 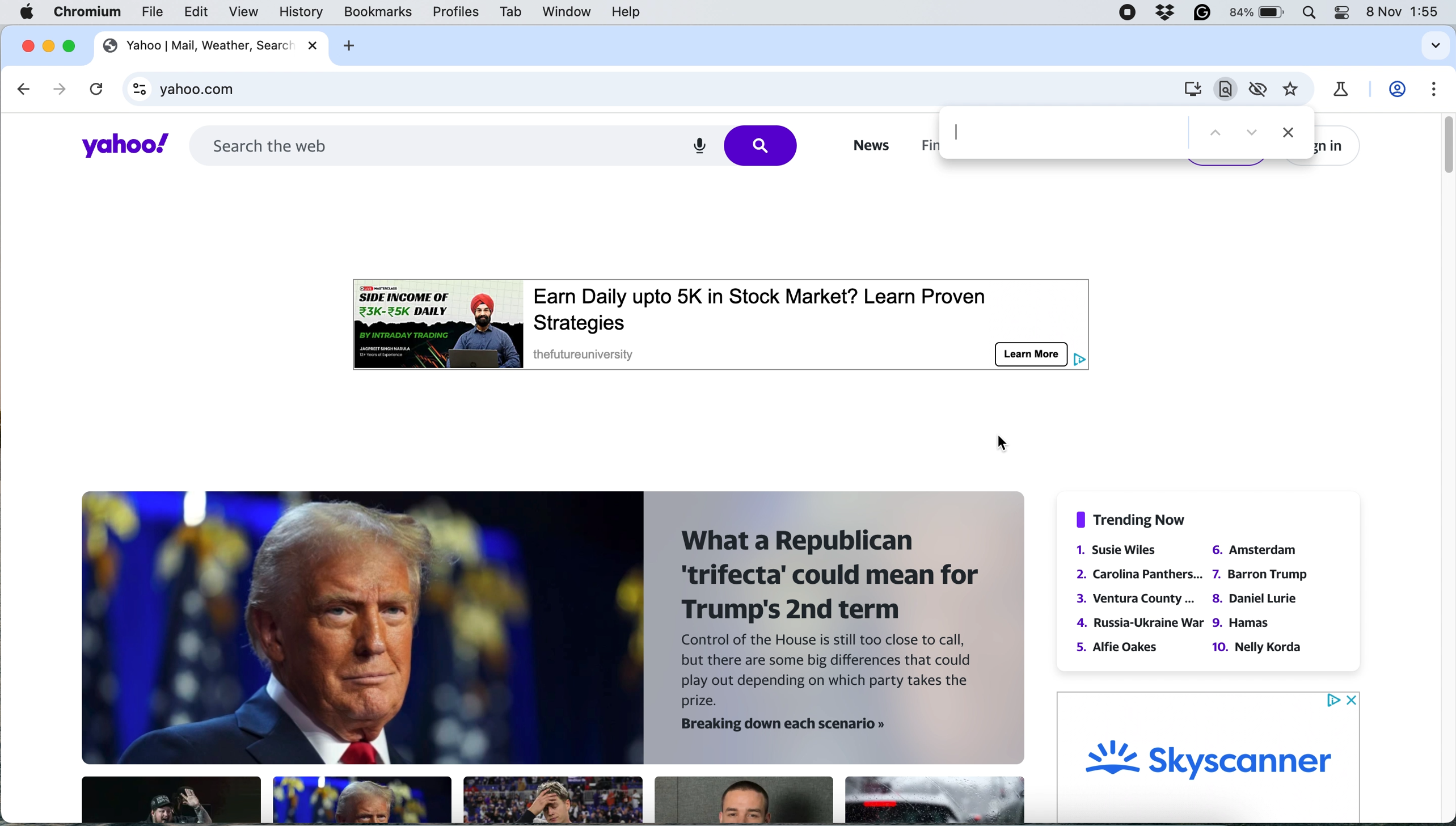 What do you see at coordinates (1243, 624) in the screenshot?
I see `Hamas` at bounding box center [1243, 624].